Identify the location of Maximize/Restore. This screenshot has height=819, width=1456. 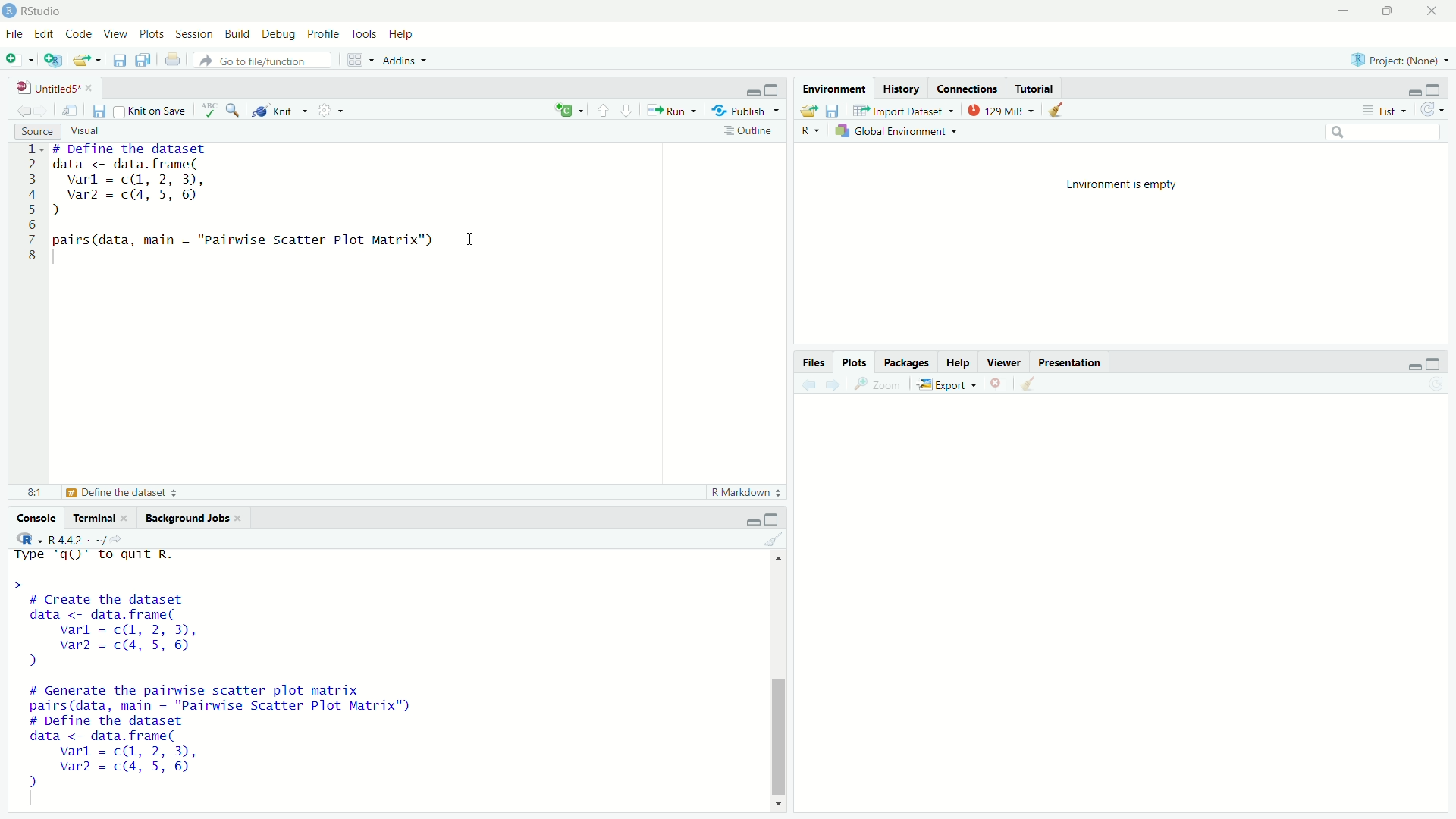
(1388, 9).